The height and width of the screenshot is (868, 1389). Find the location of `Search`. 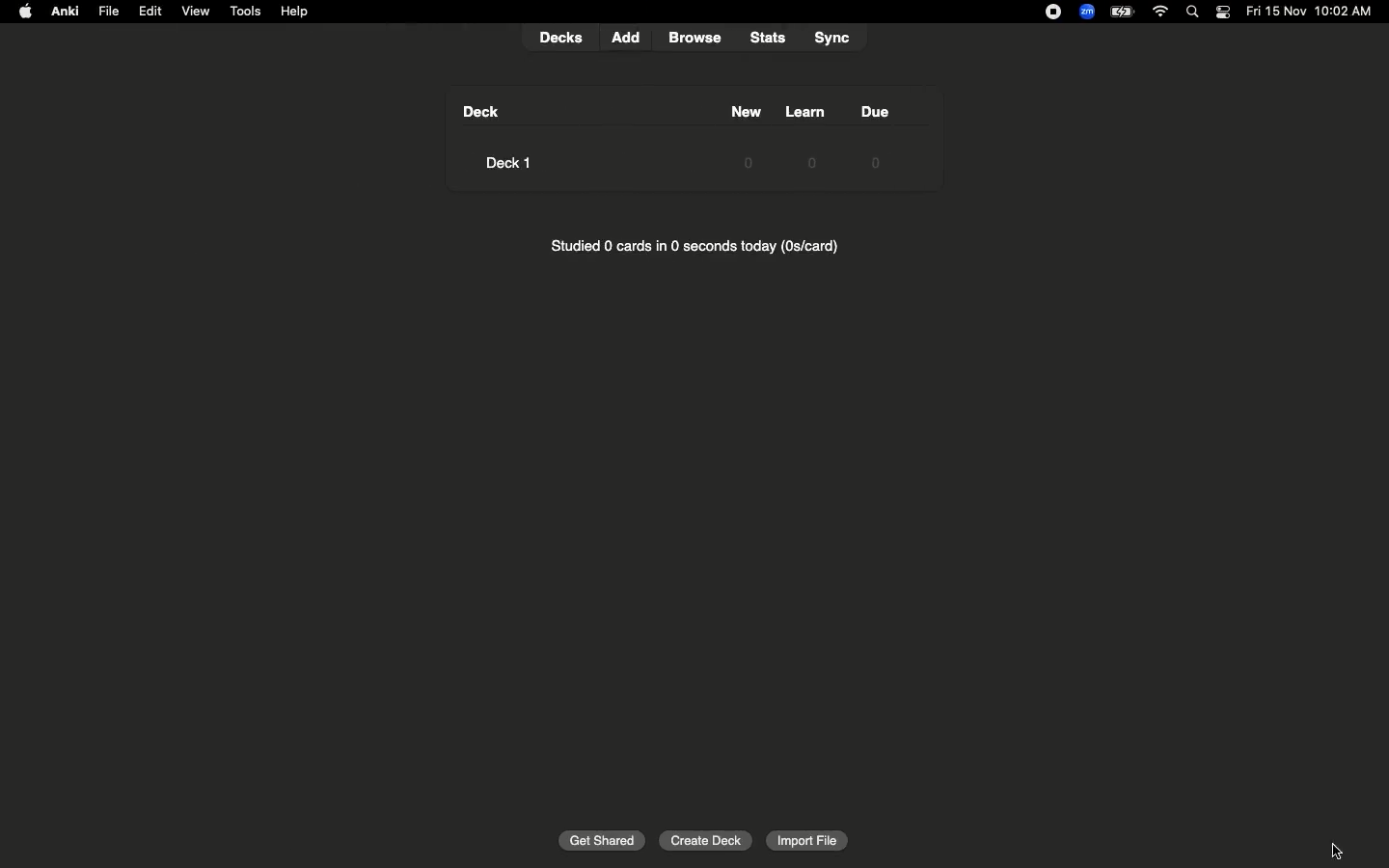

Search is located at coordinates (1195, 13).